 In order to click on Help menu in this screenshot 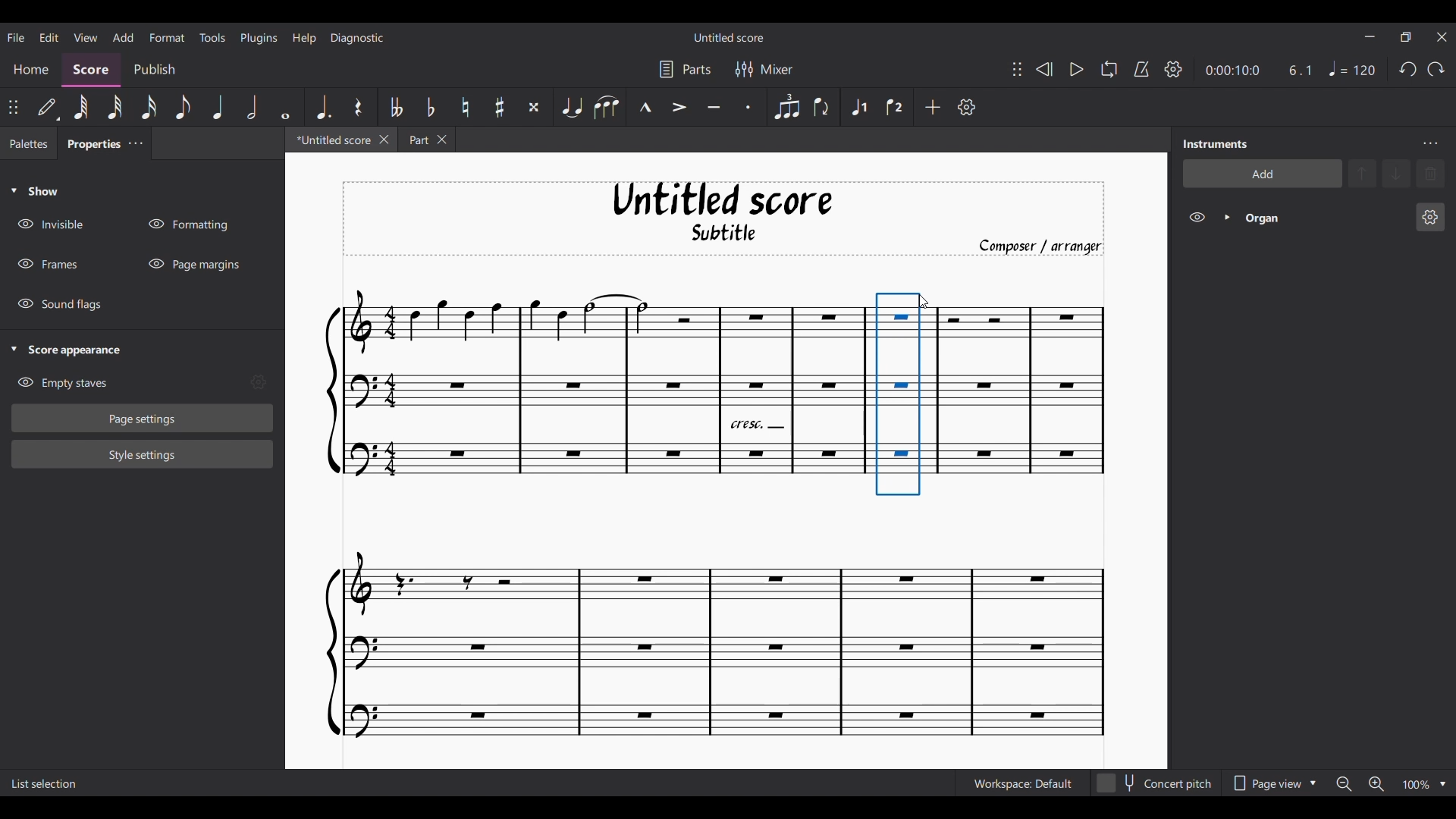, I will do `click(303, 38)`.